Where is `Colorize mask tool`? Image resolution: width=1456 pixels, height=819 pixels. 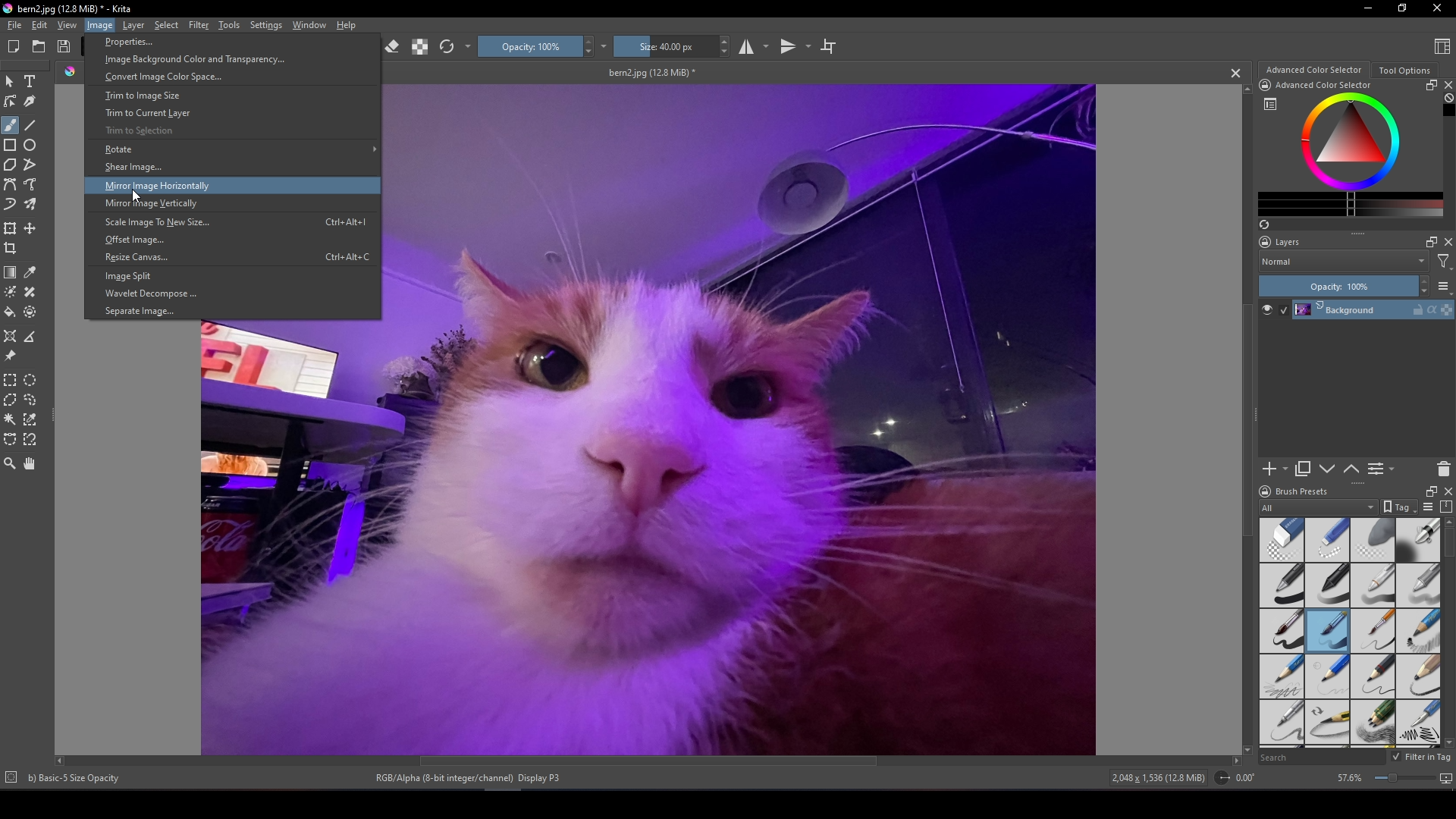
Colorize mask tool is located at coordinates (11, 292).